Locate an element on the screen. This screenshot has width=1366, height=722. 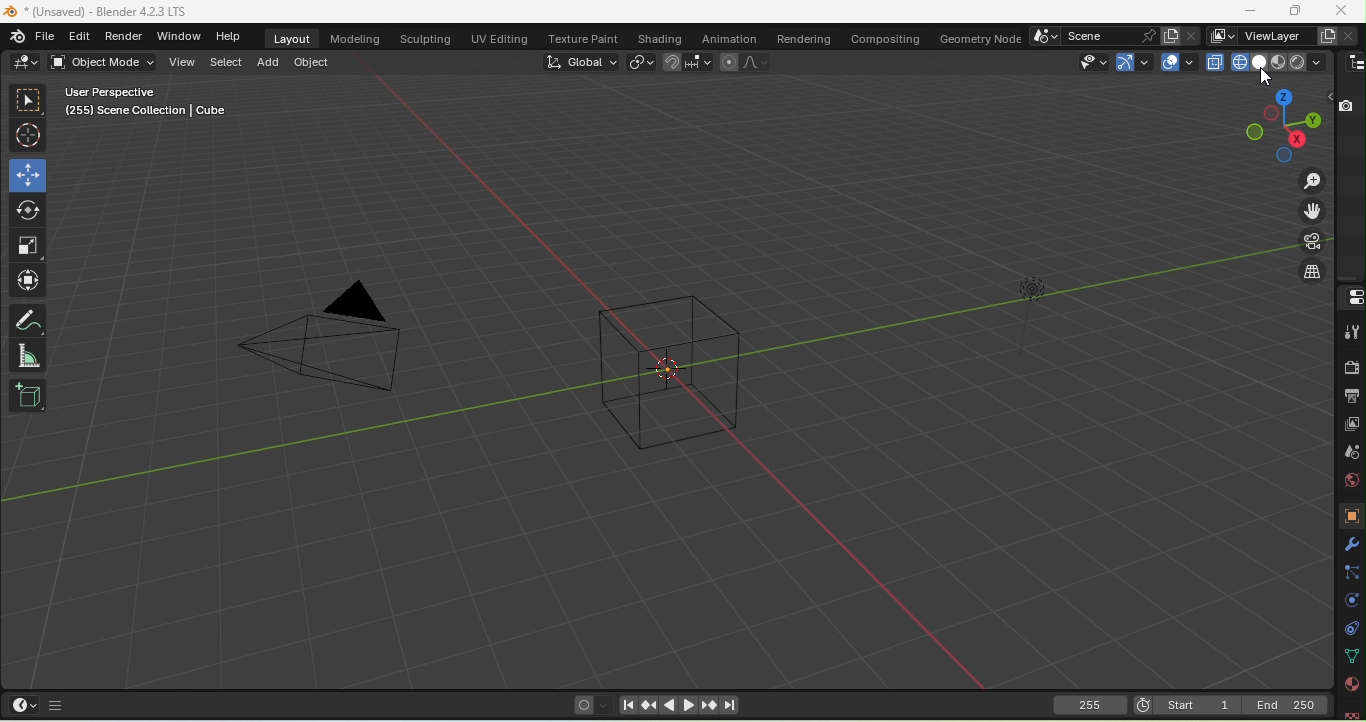
Physics is located at coordinates (1351, 603).